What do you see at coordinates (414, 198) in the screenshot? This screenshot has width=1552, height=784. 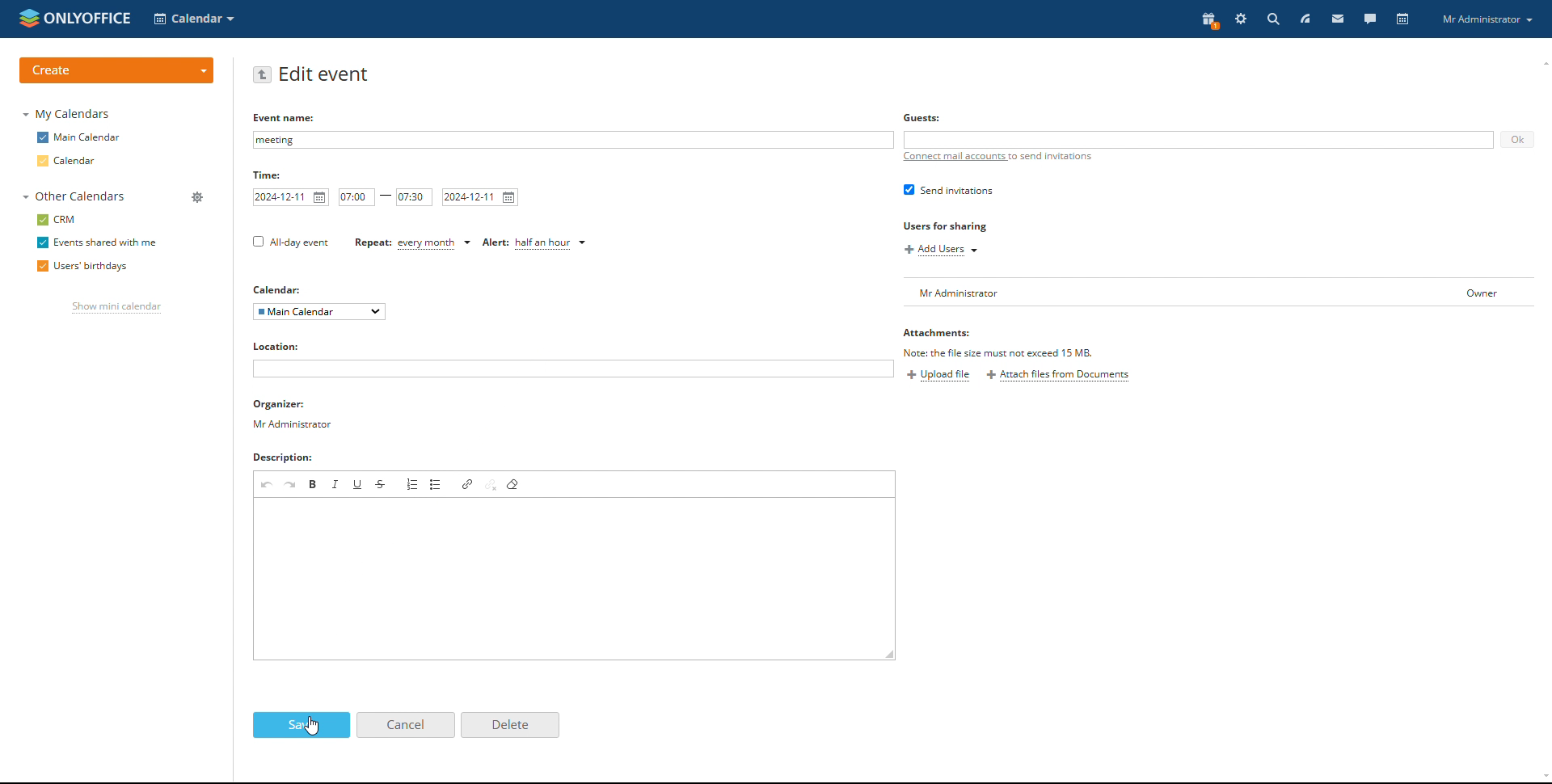 I see `end time` at bounding box center [414, 198].